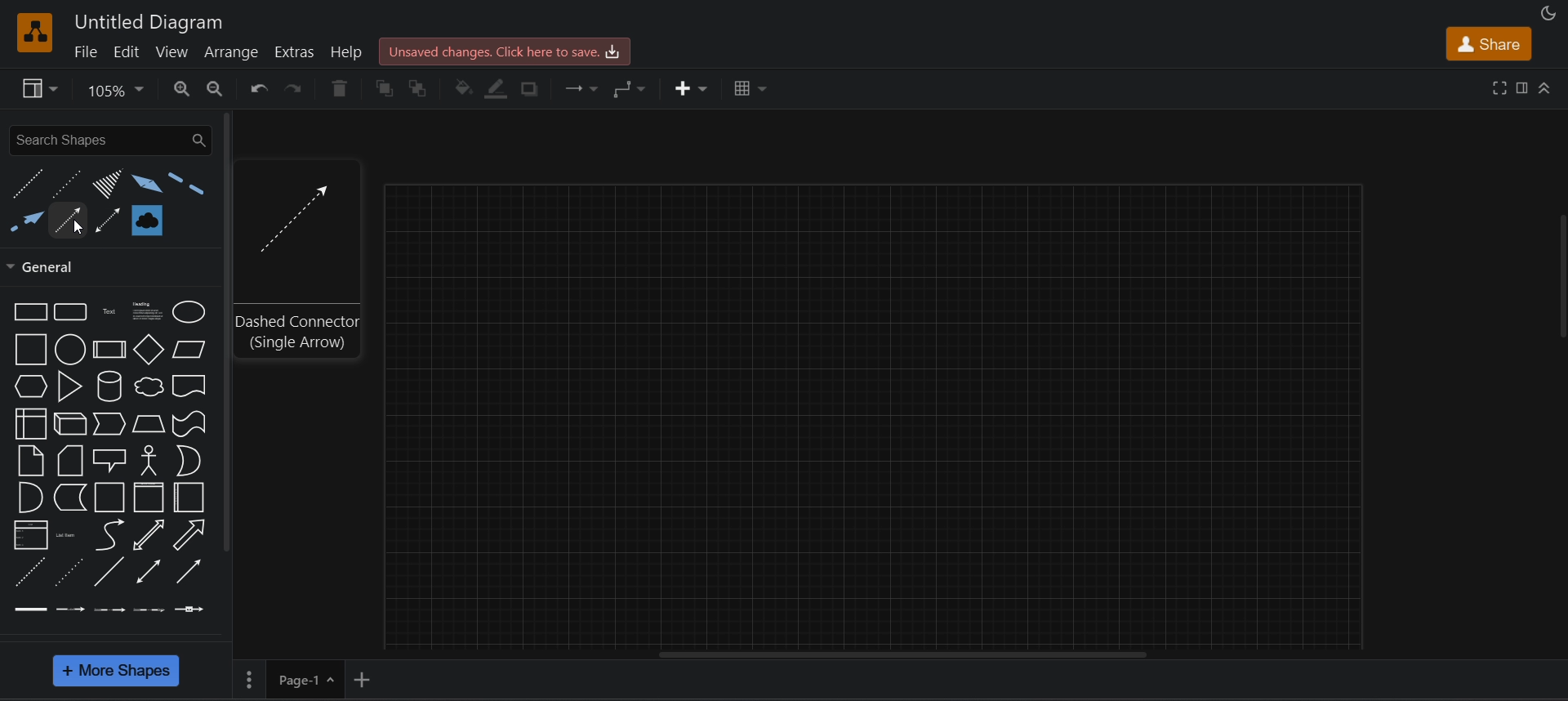  I want to click on horizontal scroll bar, so click(904, 657).